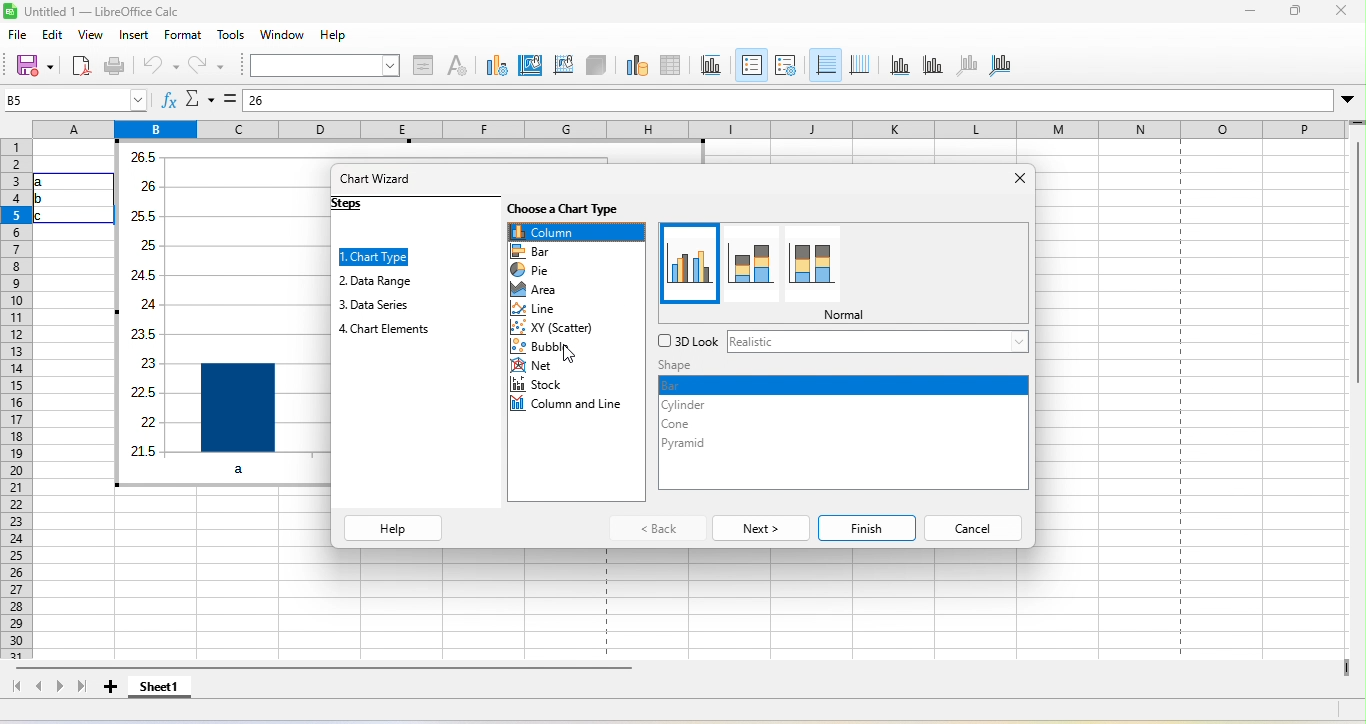 The height and width of the screenshot is (724, 1366). Describe the element at coordinates (290, 102) in the screenshot. I see `26` at that location.